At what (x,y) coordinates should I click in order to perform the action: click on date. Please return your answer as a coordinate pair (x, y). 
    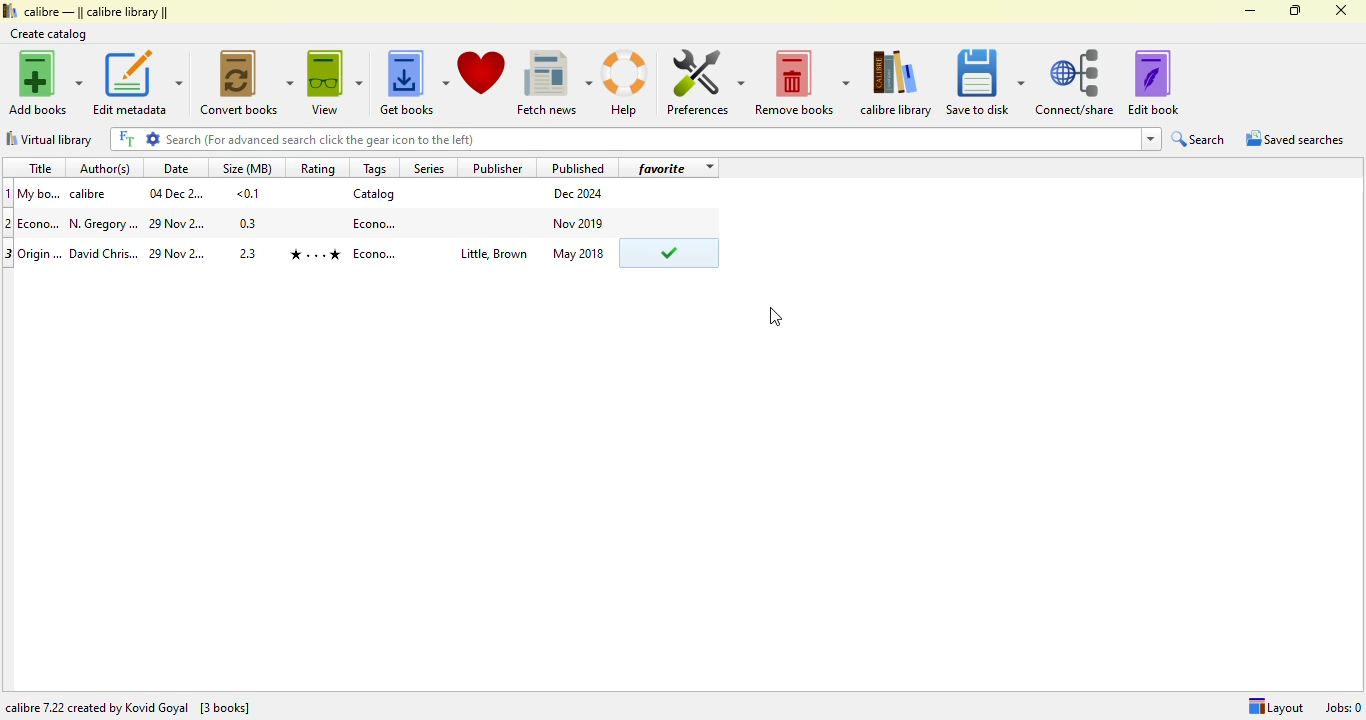
    Looking at the image, I should click on (179, 254).